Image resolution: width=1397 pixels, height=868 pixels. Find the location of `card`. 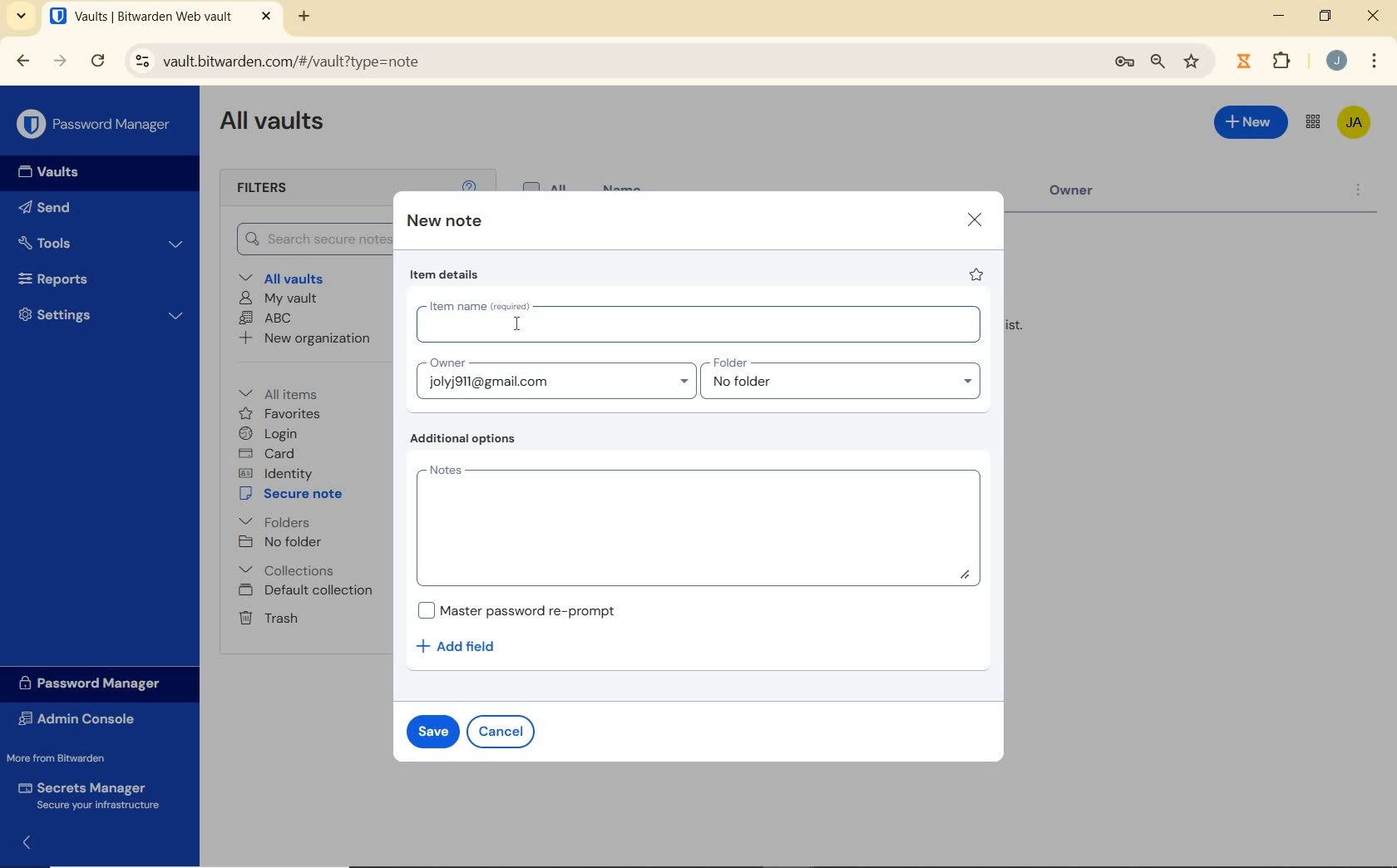

card is located at coordinates (269, 453).